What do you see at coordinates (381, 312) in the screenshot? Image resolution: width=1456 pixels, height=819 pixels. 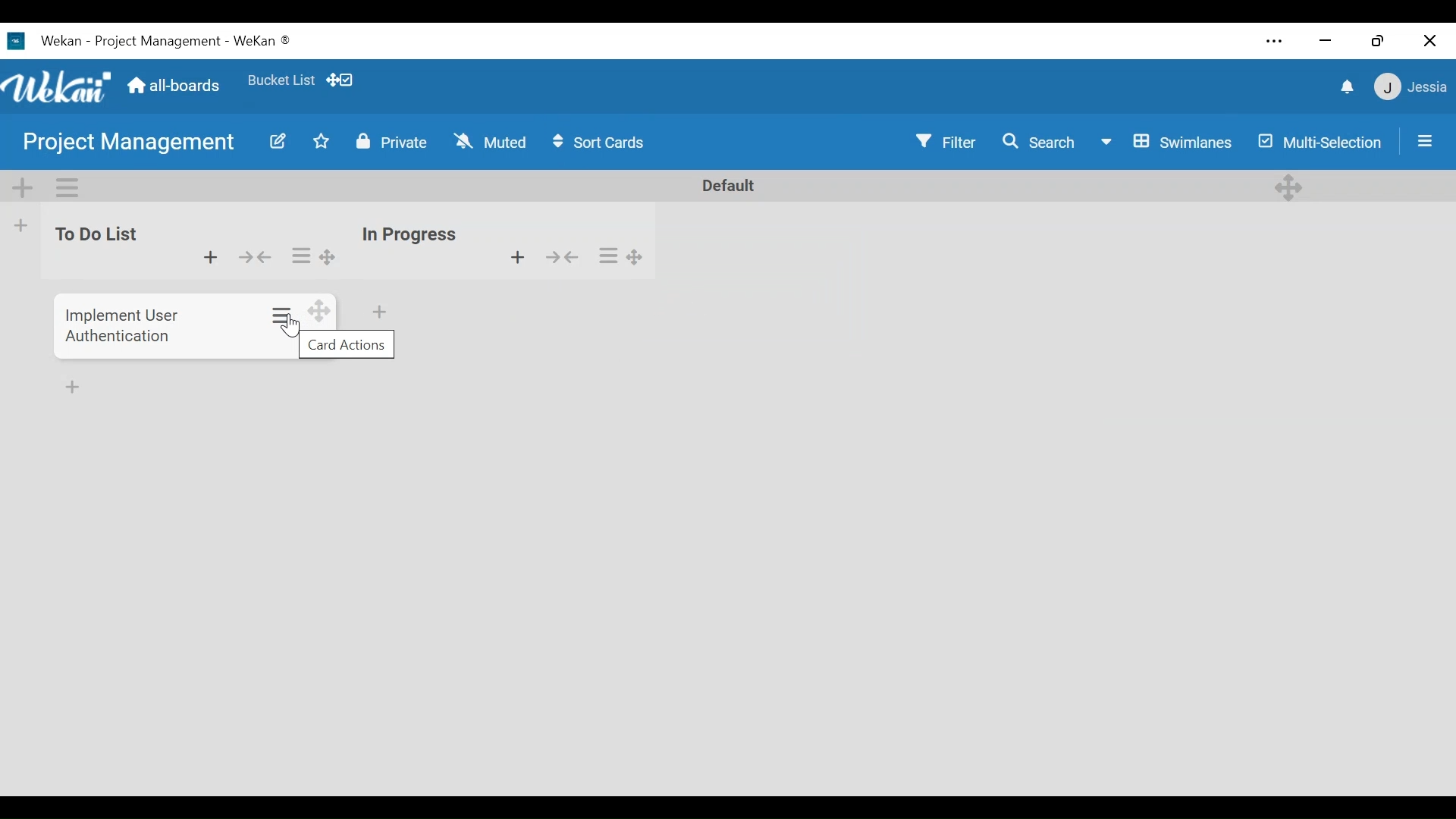 I see `Add card bottom of list` at bounding box center [381, 312].